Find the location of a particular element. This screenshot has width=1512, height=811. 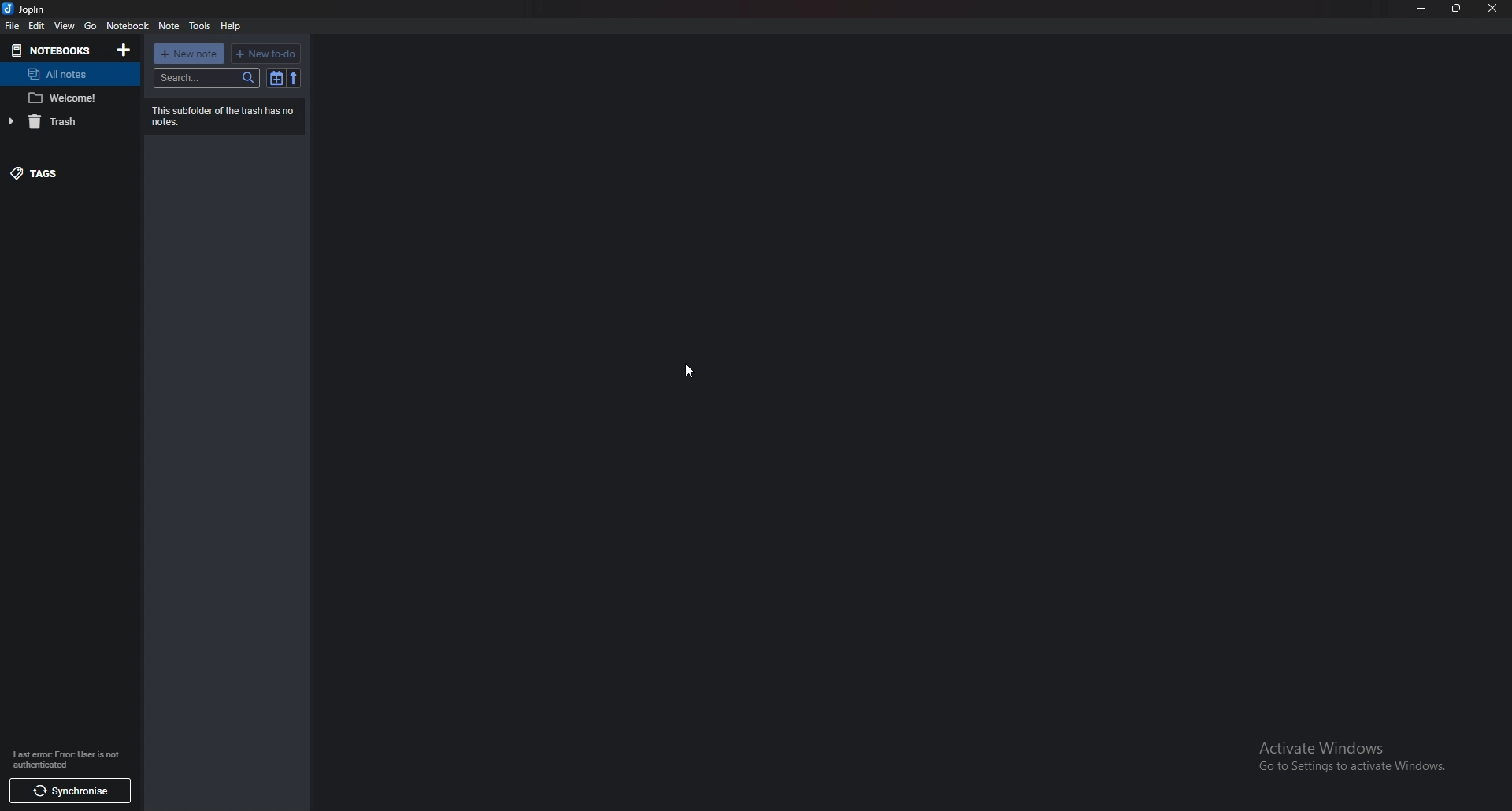

synchronize is located at coordinates (72, 791).